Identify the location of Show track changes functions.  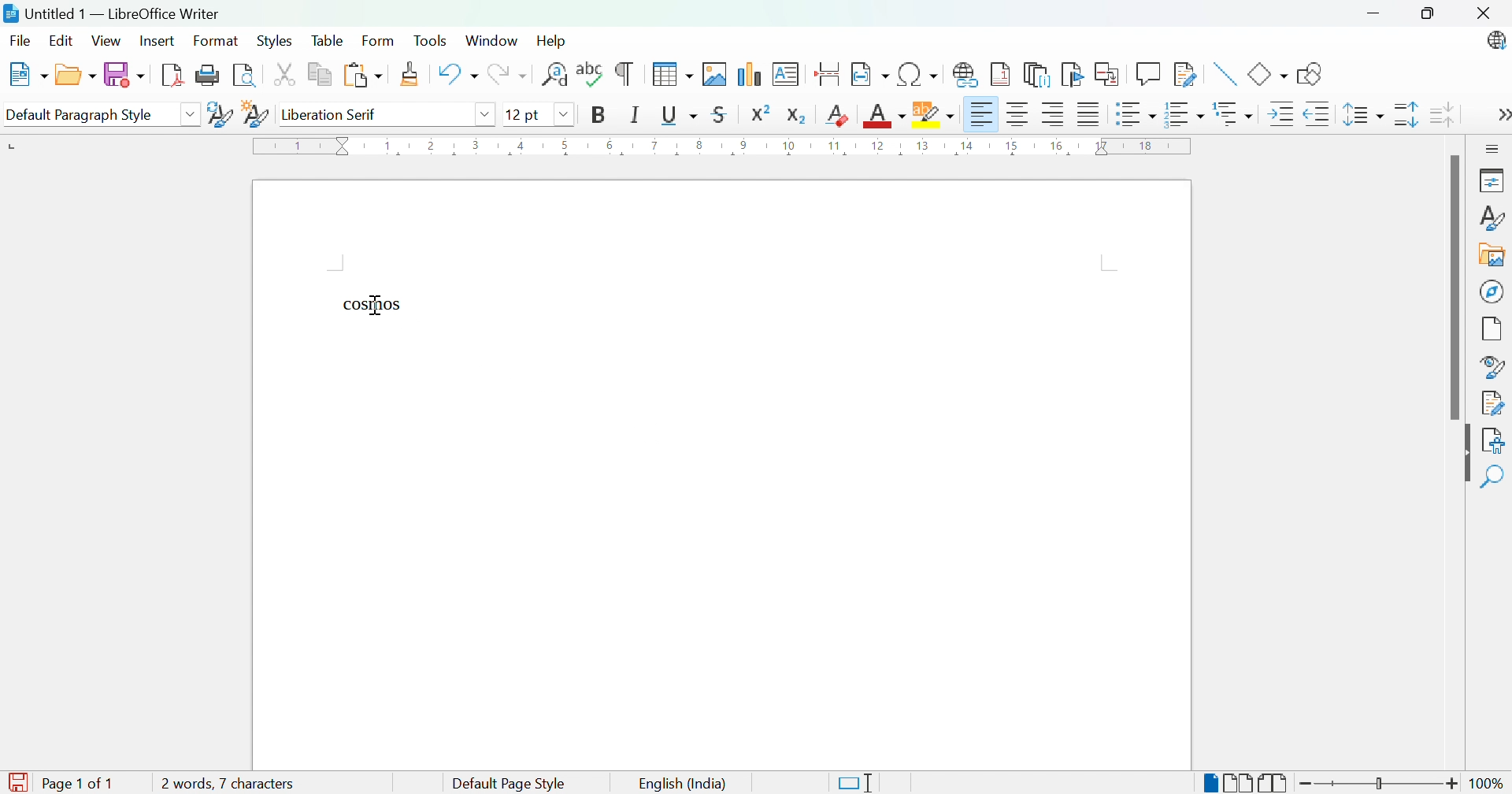
(1182, 72).